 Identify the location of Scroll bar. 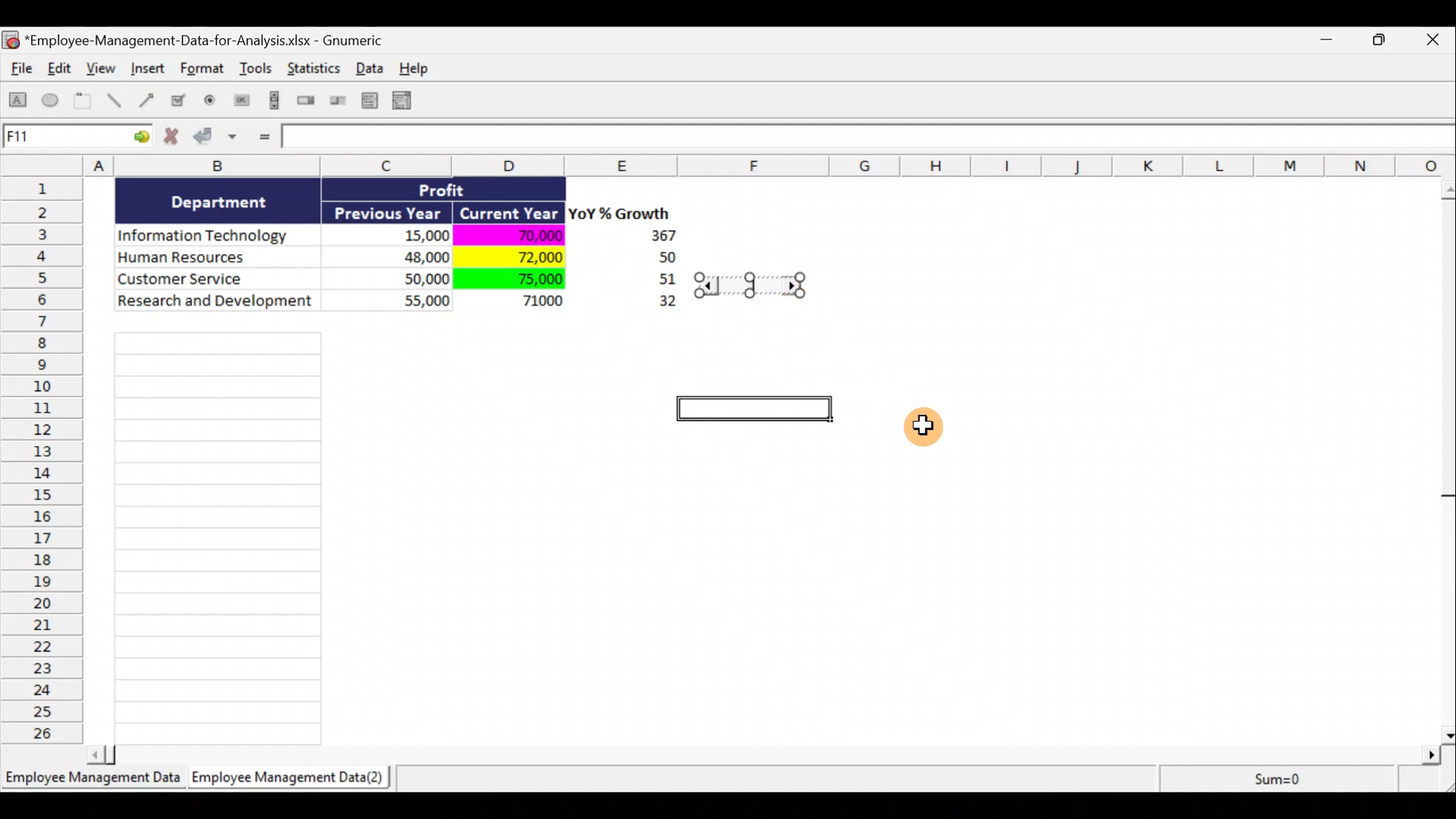
(769, 752).